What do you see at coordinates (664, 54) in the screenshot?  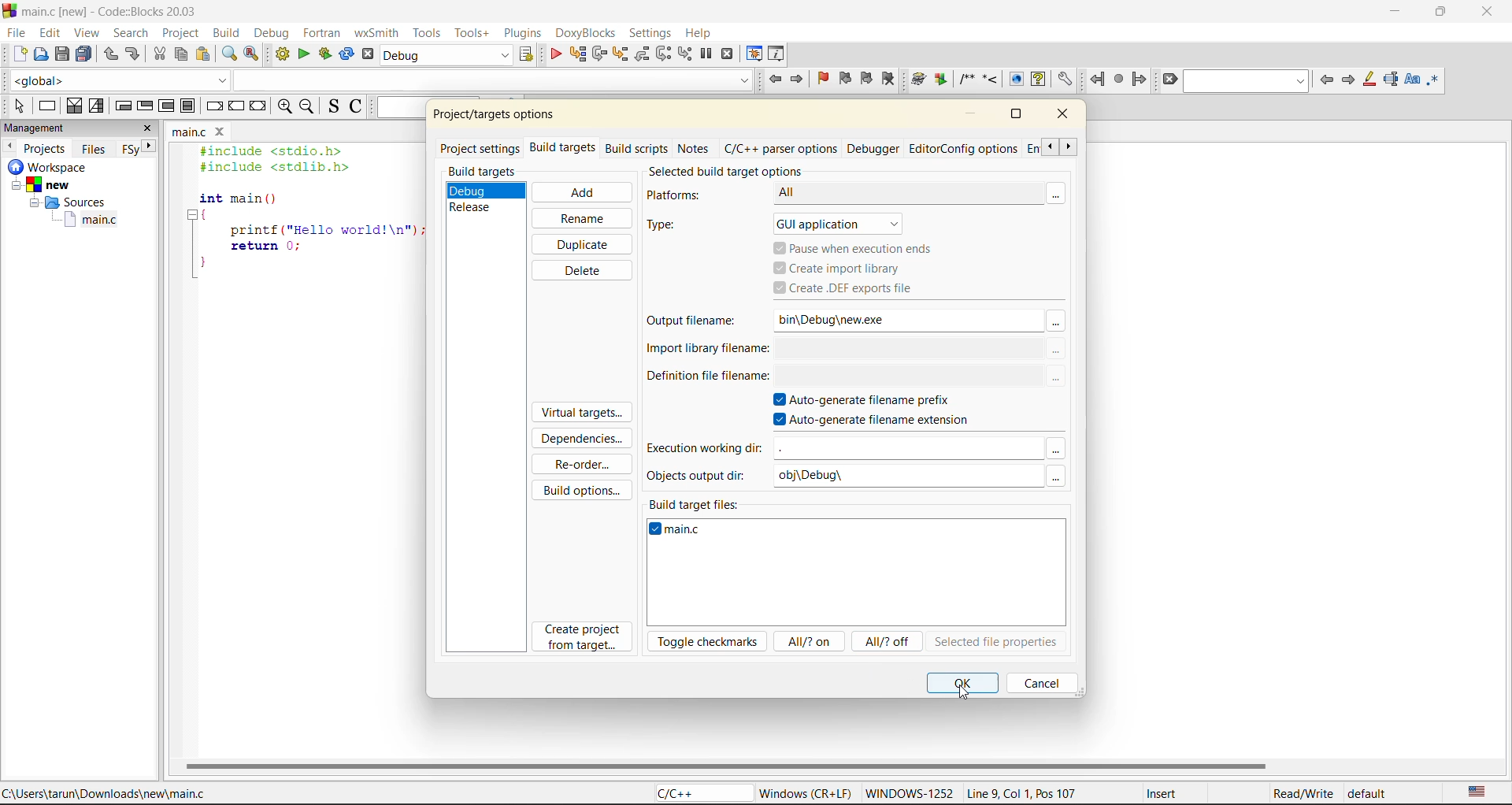 I see `next instruction` at bounding box center [664, 54].